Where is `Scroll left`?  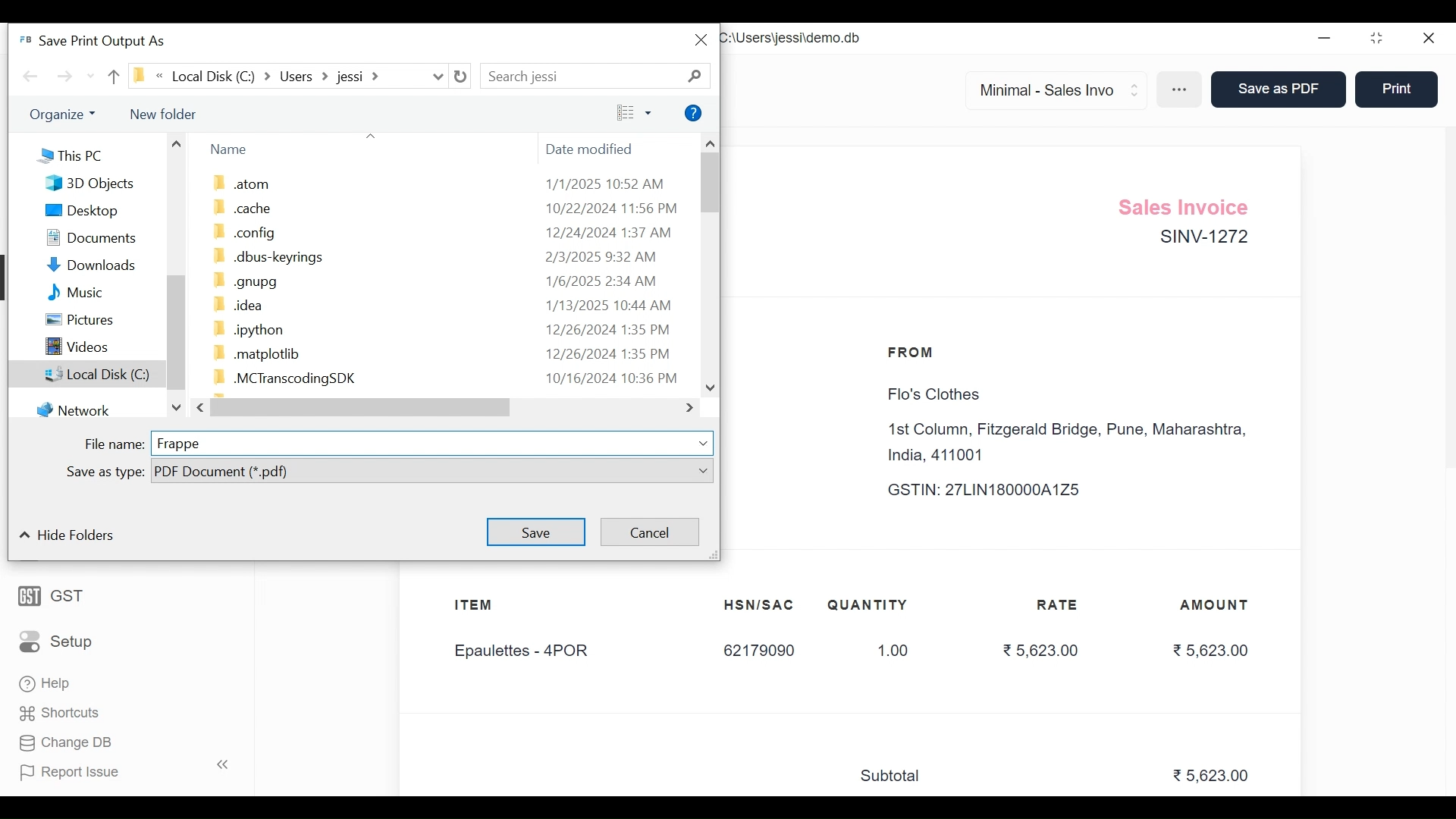
Scroll left is located at coordinates (202, 406).